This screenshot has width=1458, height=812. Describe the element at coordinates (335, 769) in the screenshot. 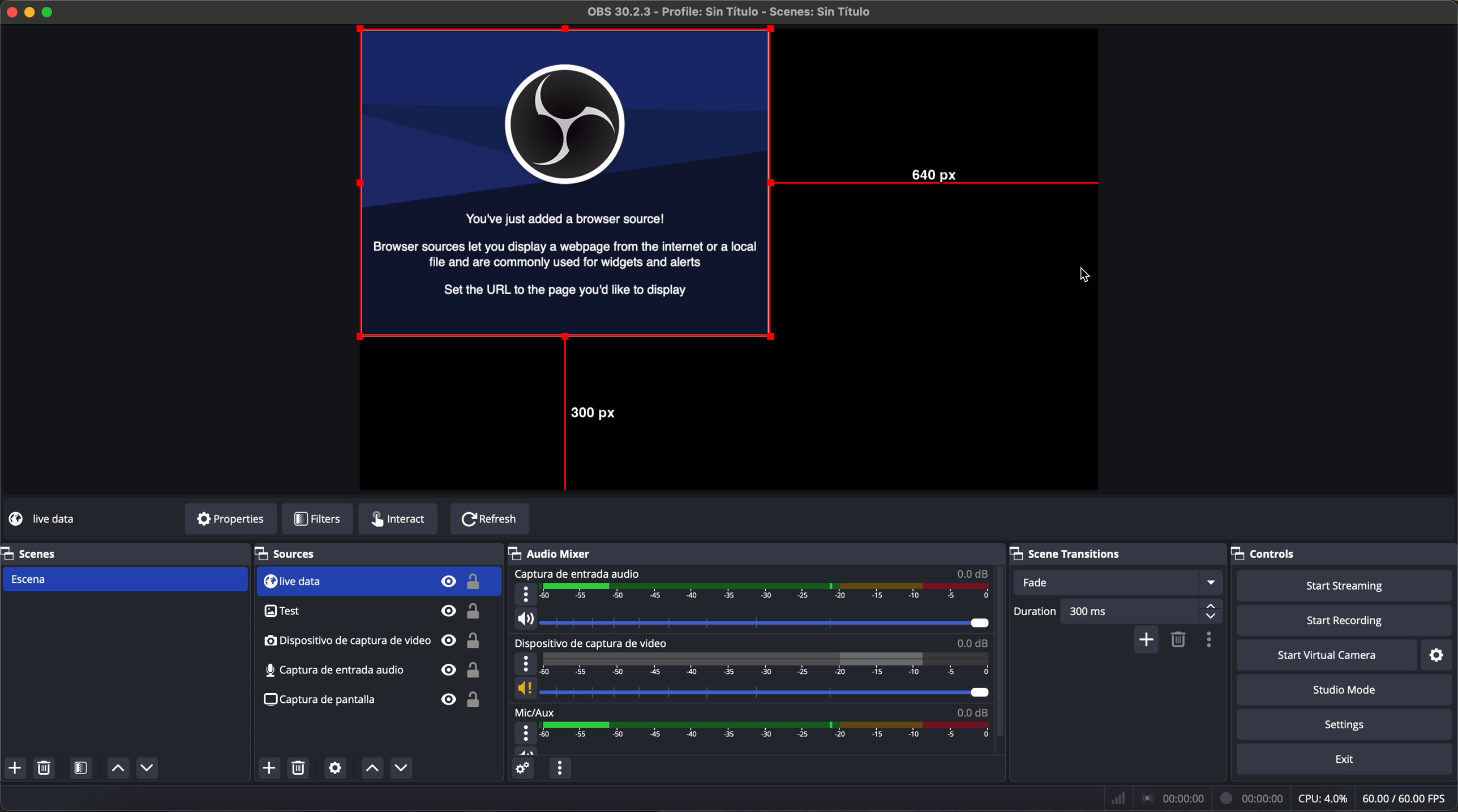

I see `open source properties` at that location.